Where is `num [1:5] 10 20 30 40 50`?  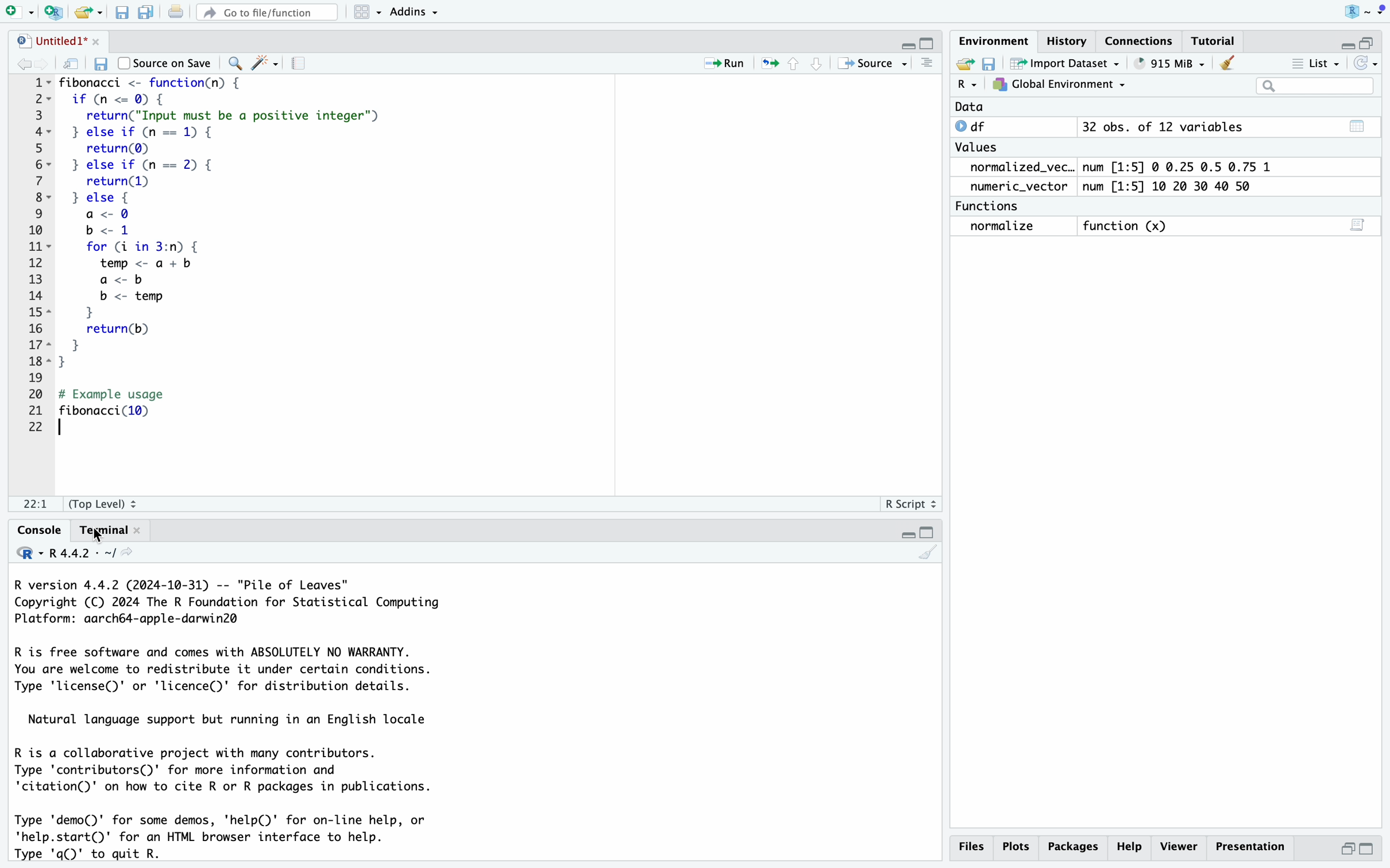
num [1:5] 10 20 30 40 50 is located at coordinates (1175, 186).